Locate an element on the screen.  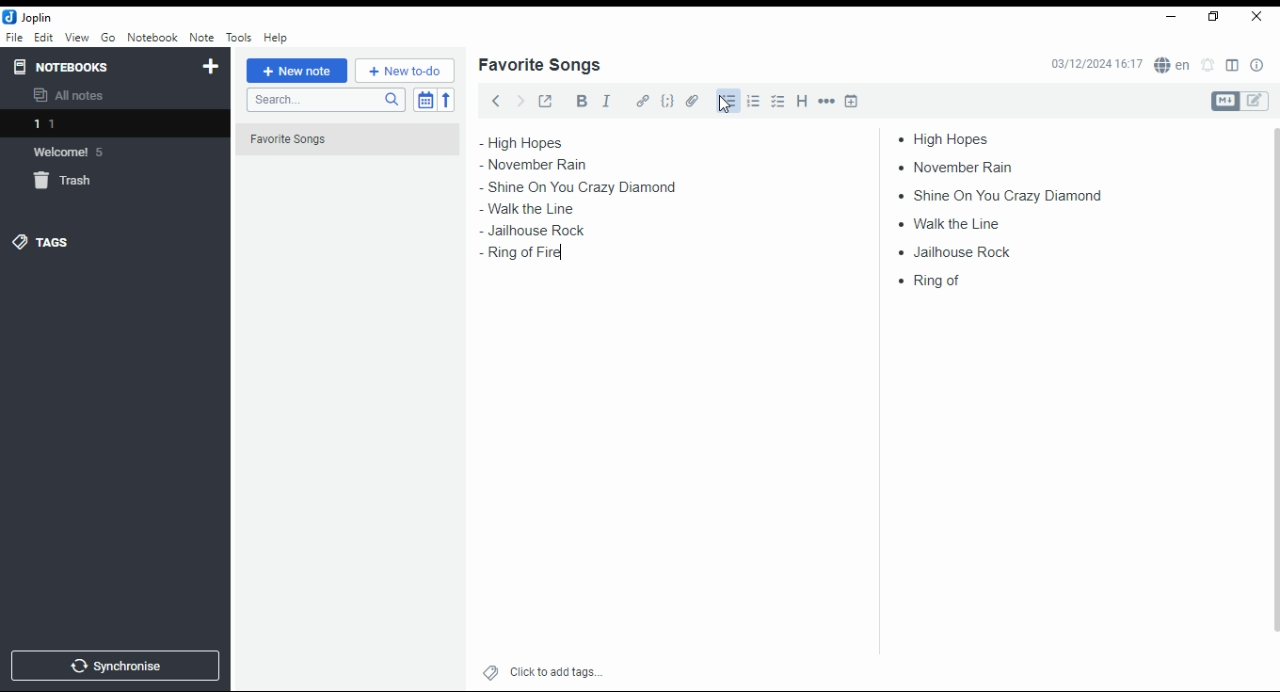
bullets is located at coordinates (726, 101).